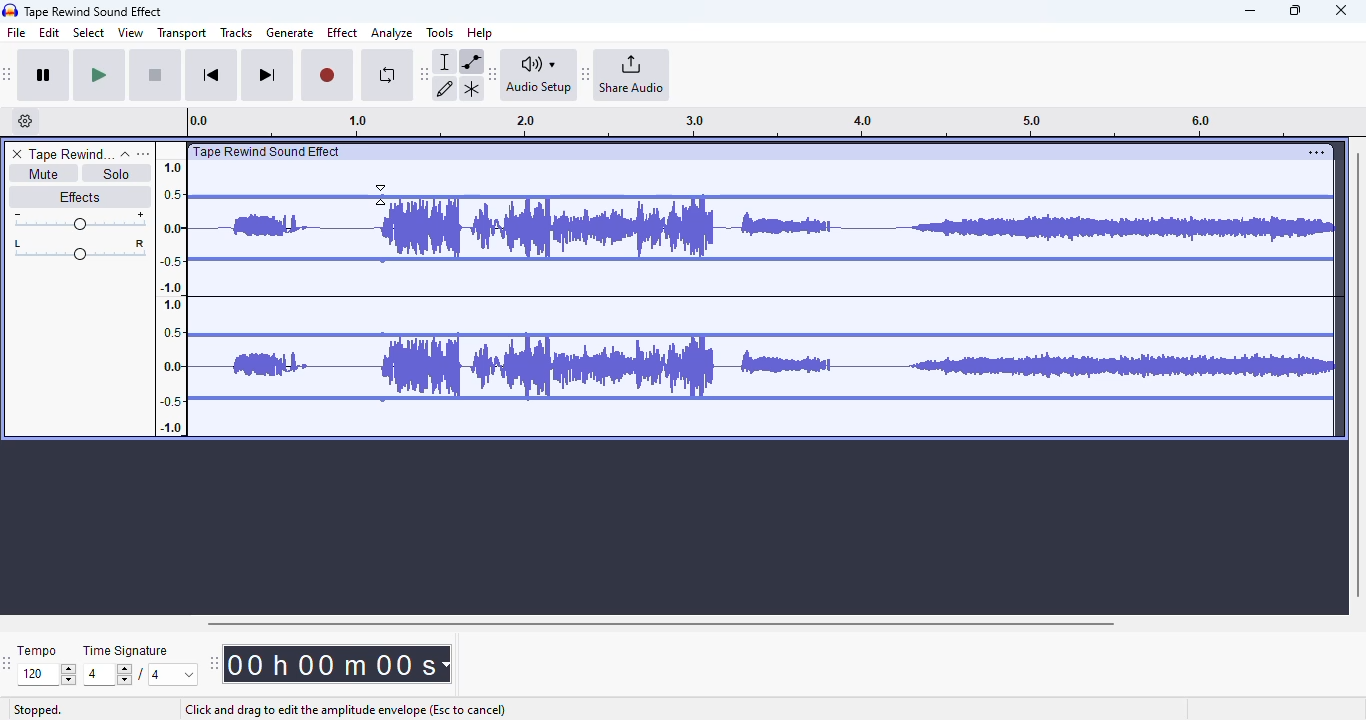  What do you see at coordinates (446, 88) in the screenshot?
I see `draw tool` at bounding box center [446, 88].